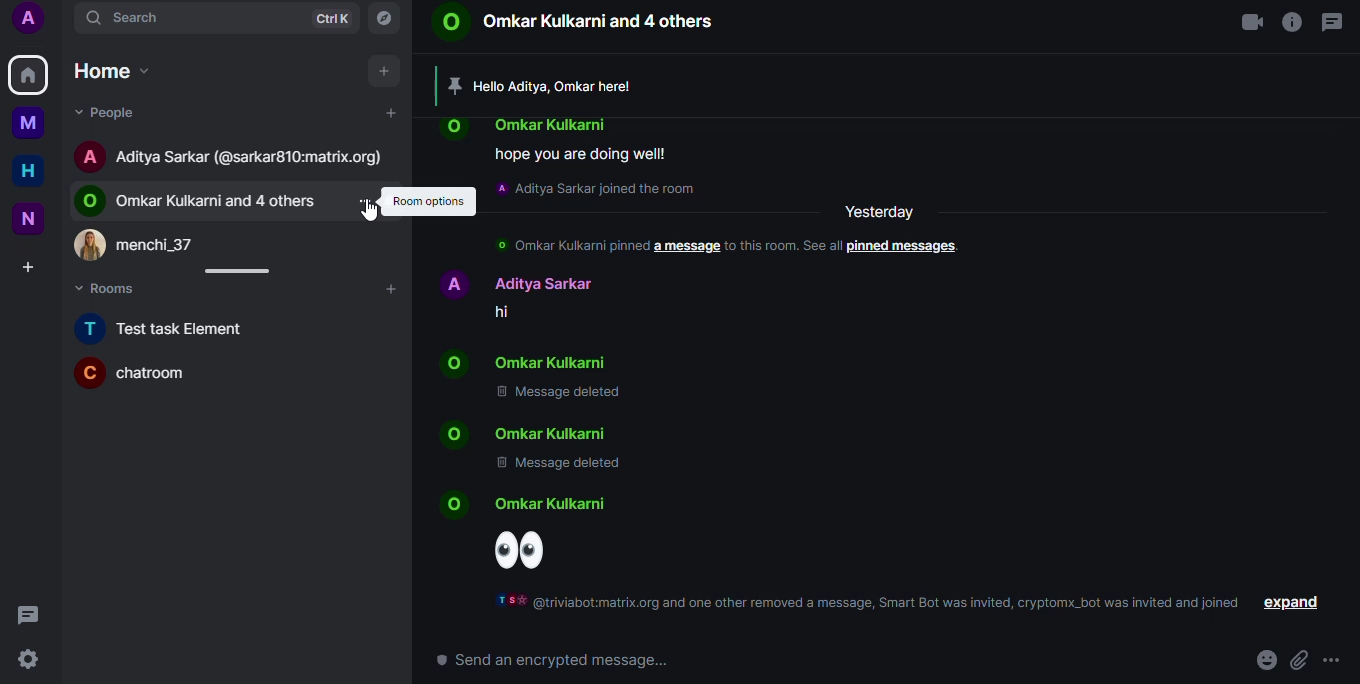  What do you see at coordinates (520, 432) in the screenshot?
I see `contact` at bounding box center [520, 432].